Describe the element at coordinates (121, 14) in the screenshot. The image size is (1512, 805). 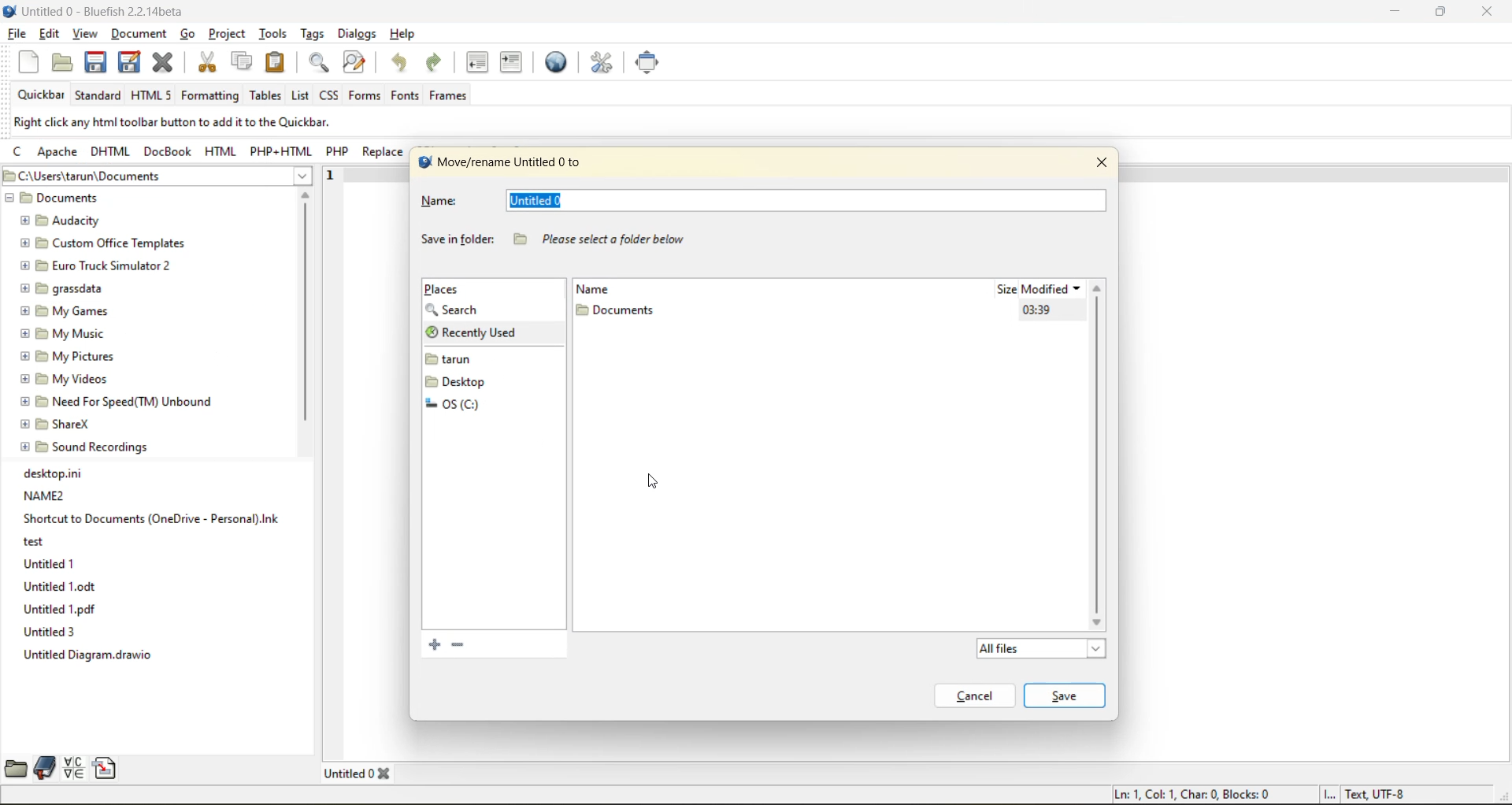
I see `file name and app name` at that location.